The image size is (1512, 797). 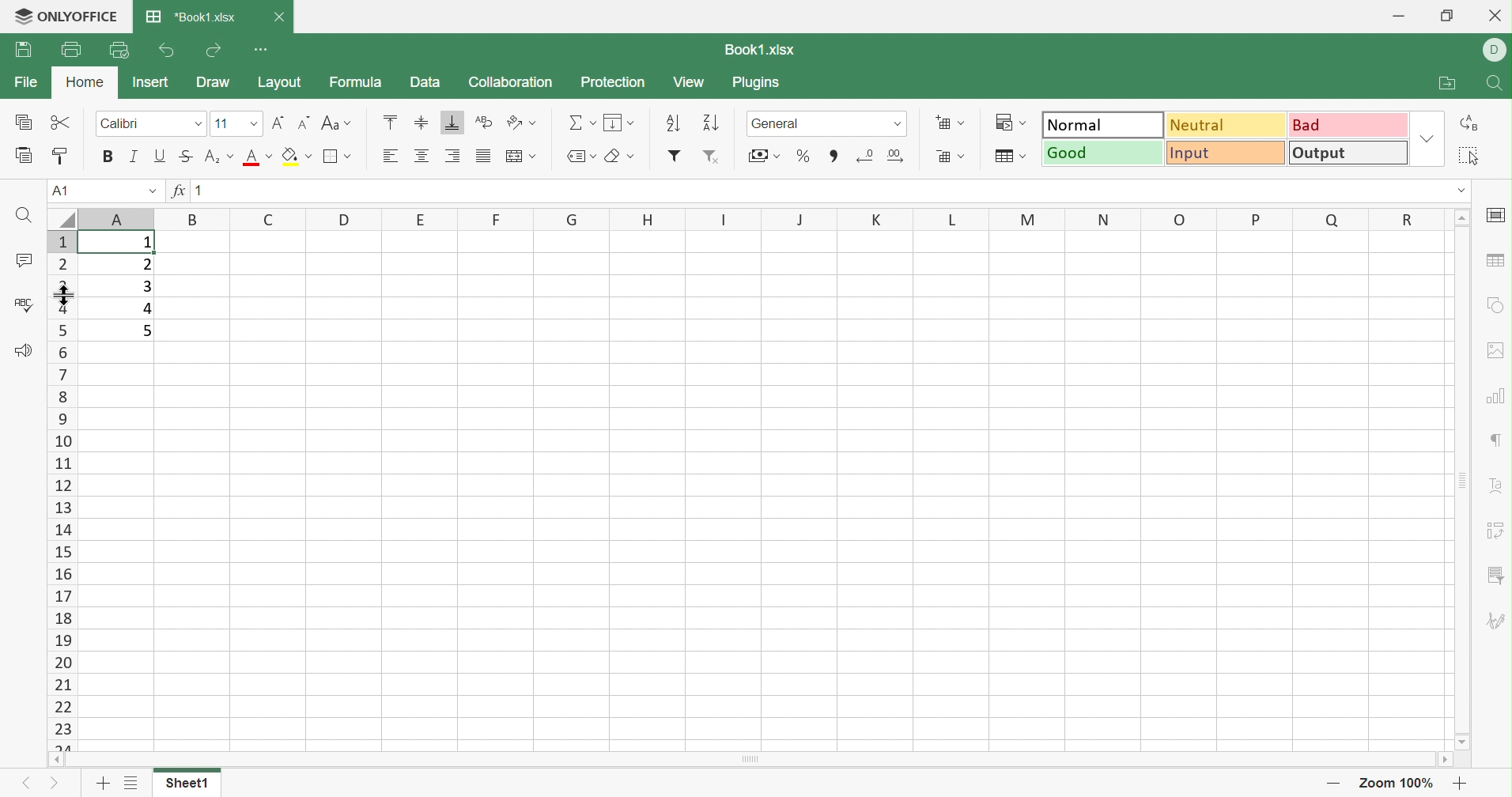 I want to click on Normal, so click(x=1101, y=124).